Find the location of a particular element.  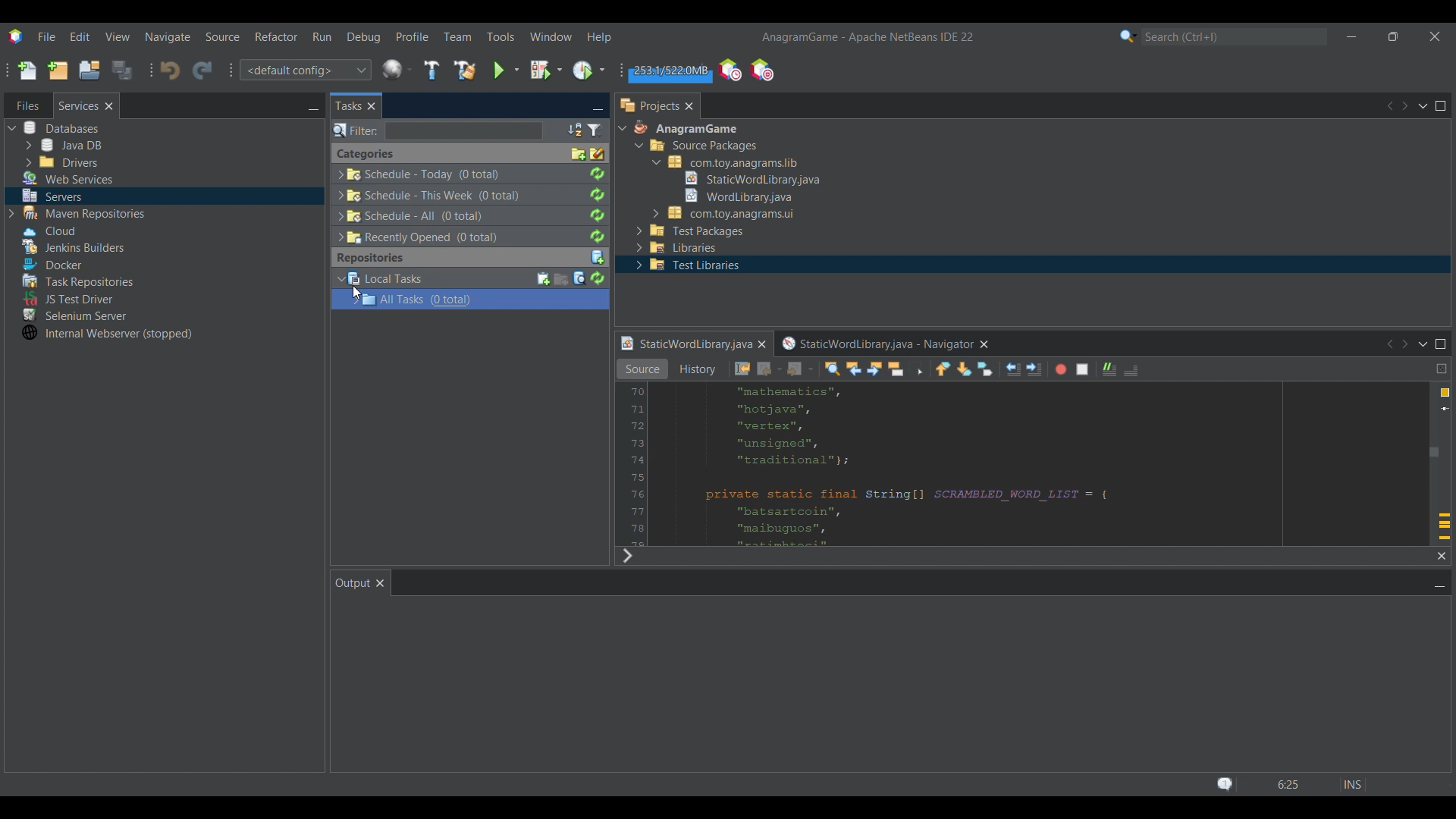

 is located at coordinates (639, 369).